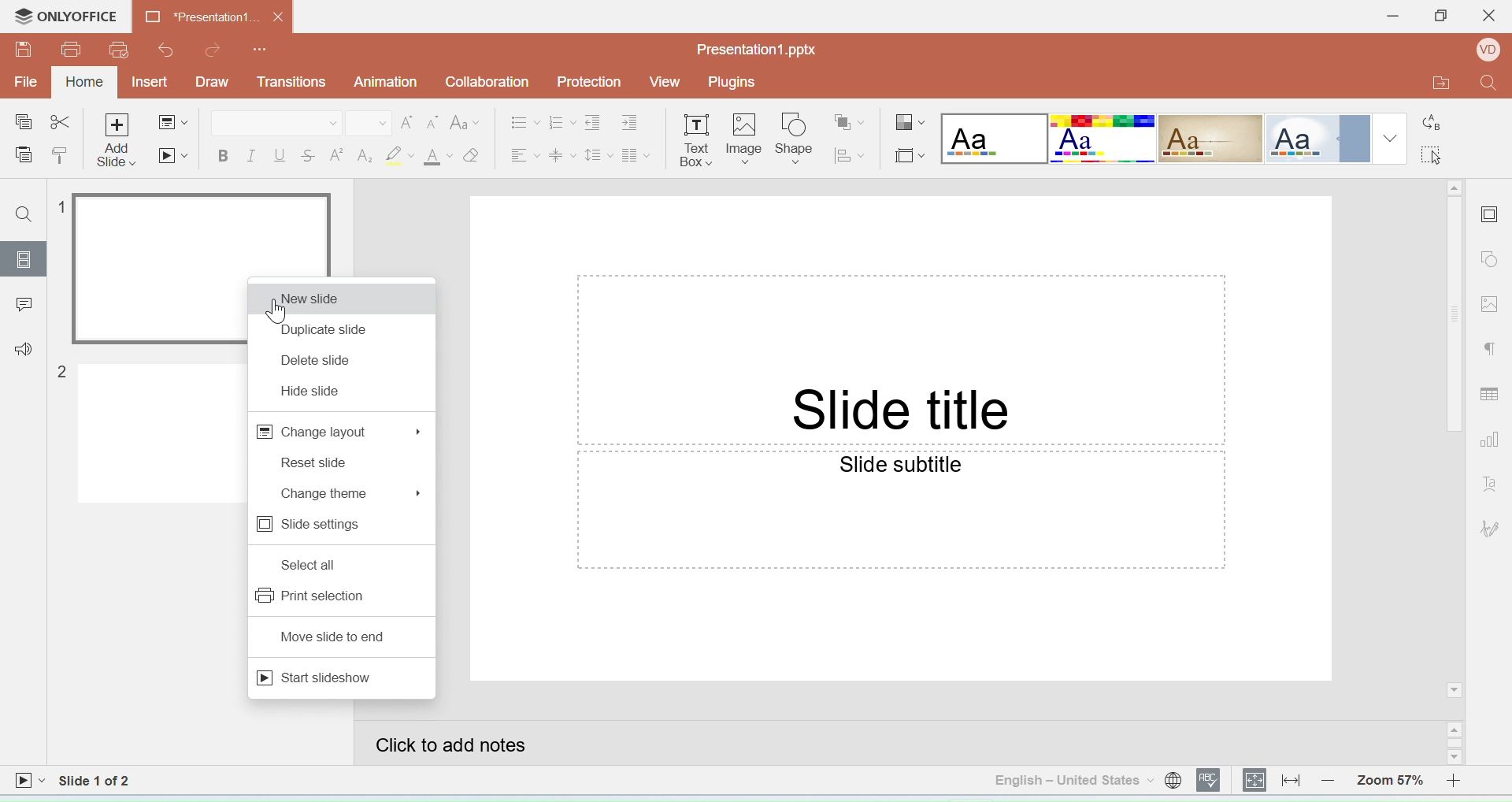 The height and width of the screenshot is (802, 1512). Describe the element at coordinates (337, 154) in the screenshot. I see `Superscript` at that location.